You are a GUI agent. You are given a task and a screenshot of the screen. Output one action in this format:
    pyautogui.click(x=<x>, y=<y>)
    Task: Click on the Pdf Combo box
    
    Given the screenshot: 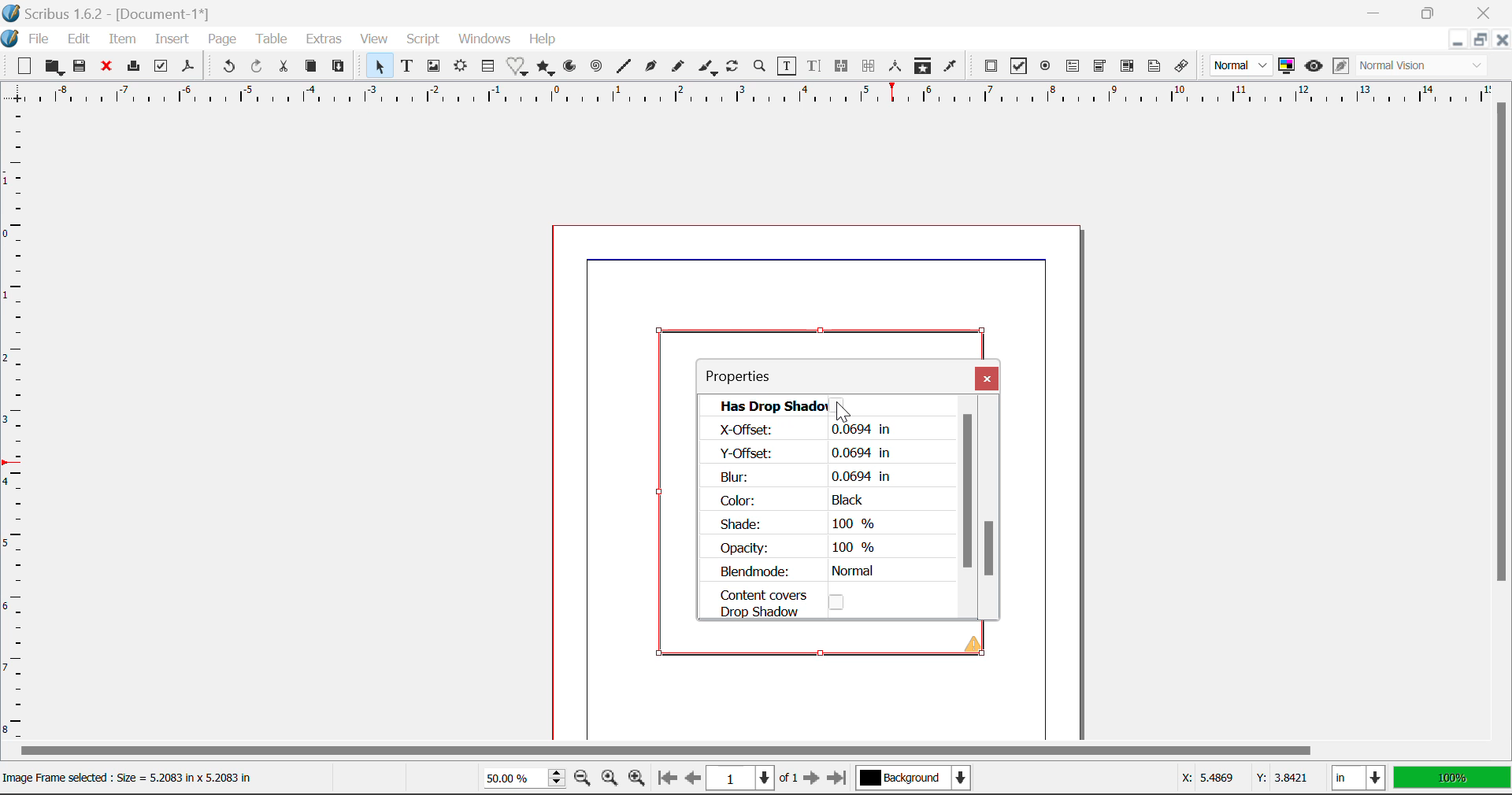 What is the action you would take?
    pyautogui.click(x=1100, y=68)
    